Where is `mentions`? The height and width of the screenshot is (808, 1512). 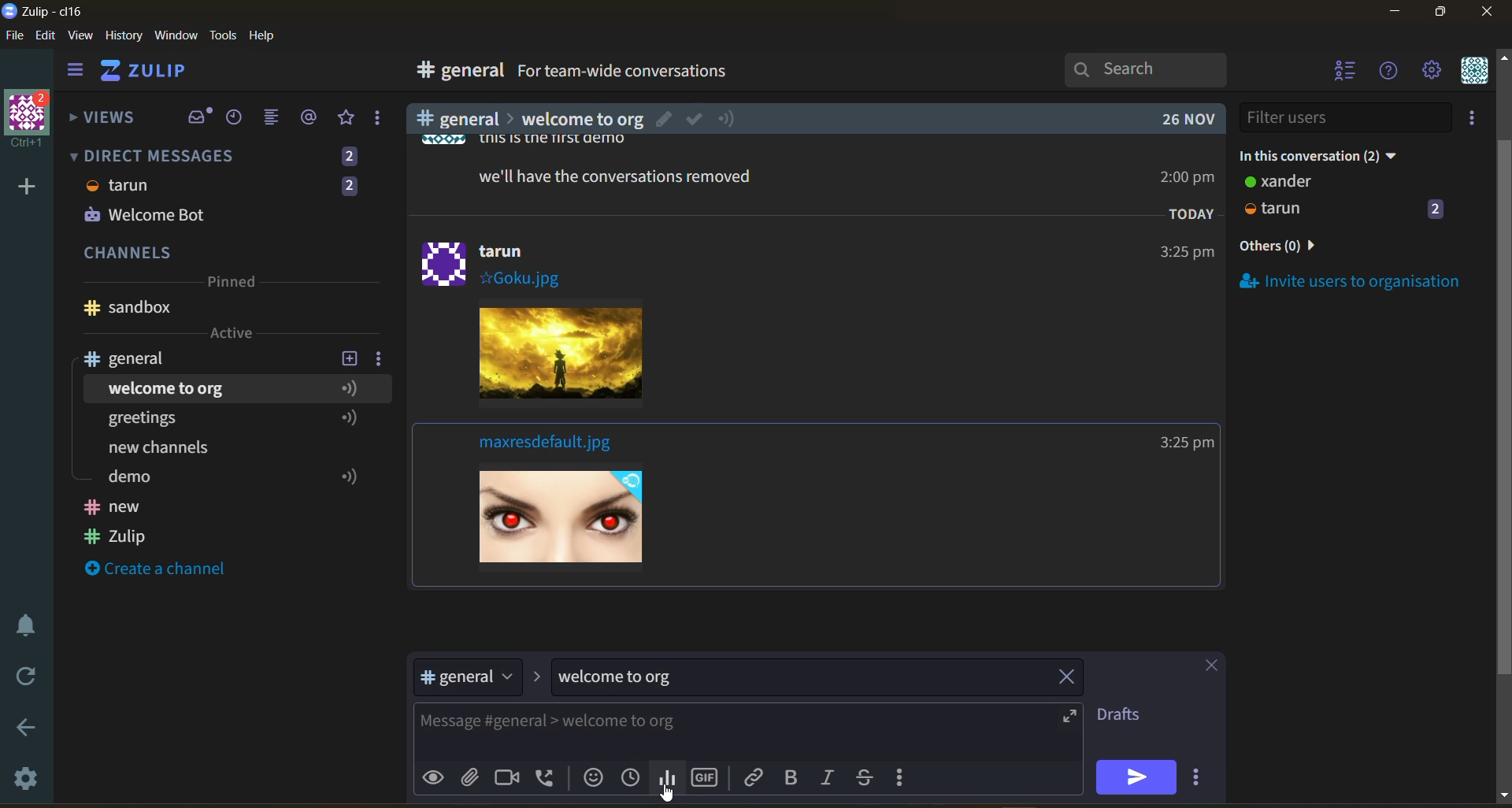 mentions is located at coordinates (312, 117).